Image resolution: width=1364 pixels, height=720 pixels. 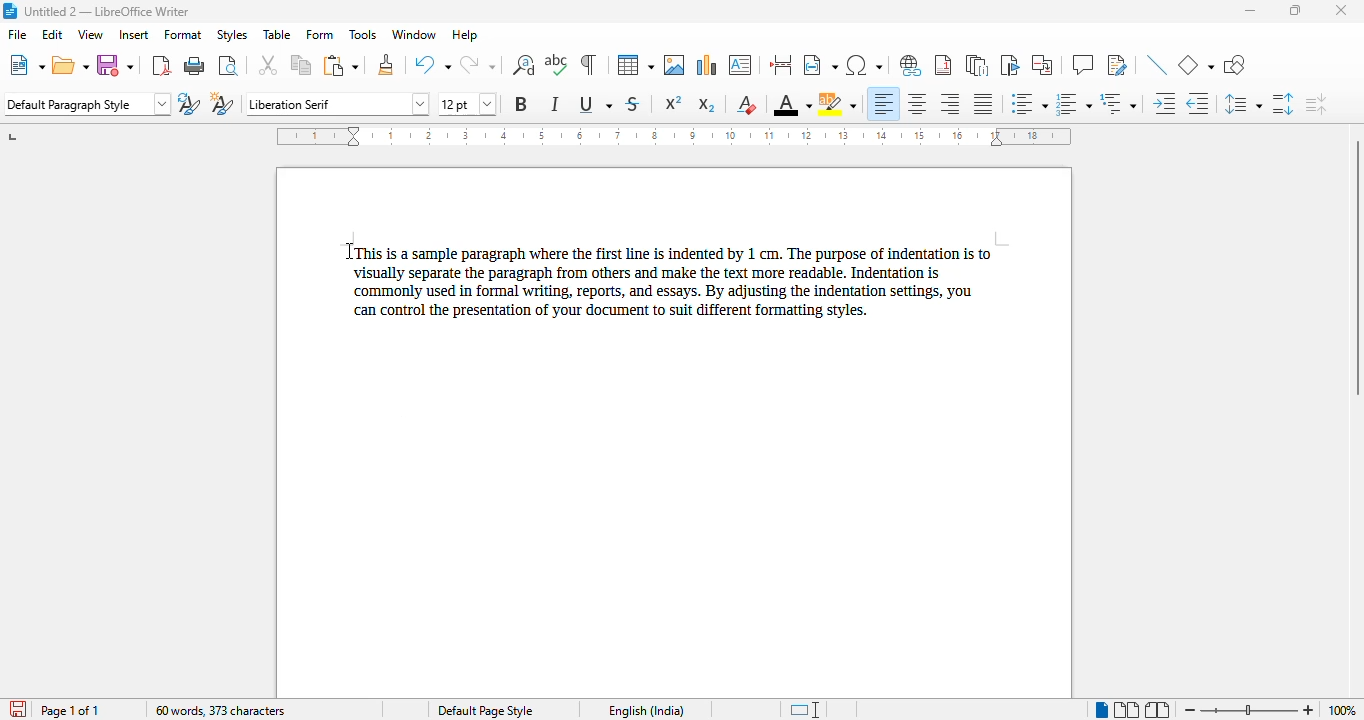 What do you see at coordinates (522, 103) in the screenshot?
I see `bold` at bounding box center [522, 103].